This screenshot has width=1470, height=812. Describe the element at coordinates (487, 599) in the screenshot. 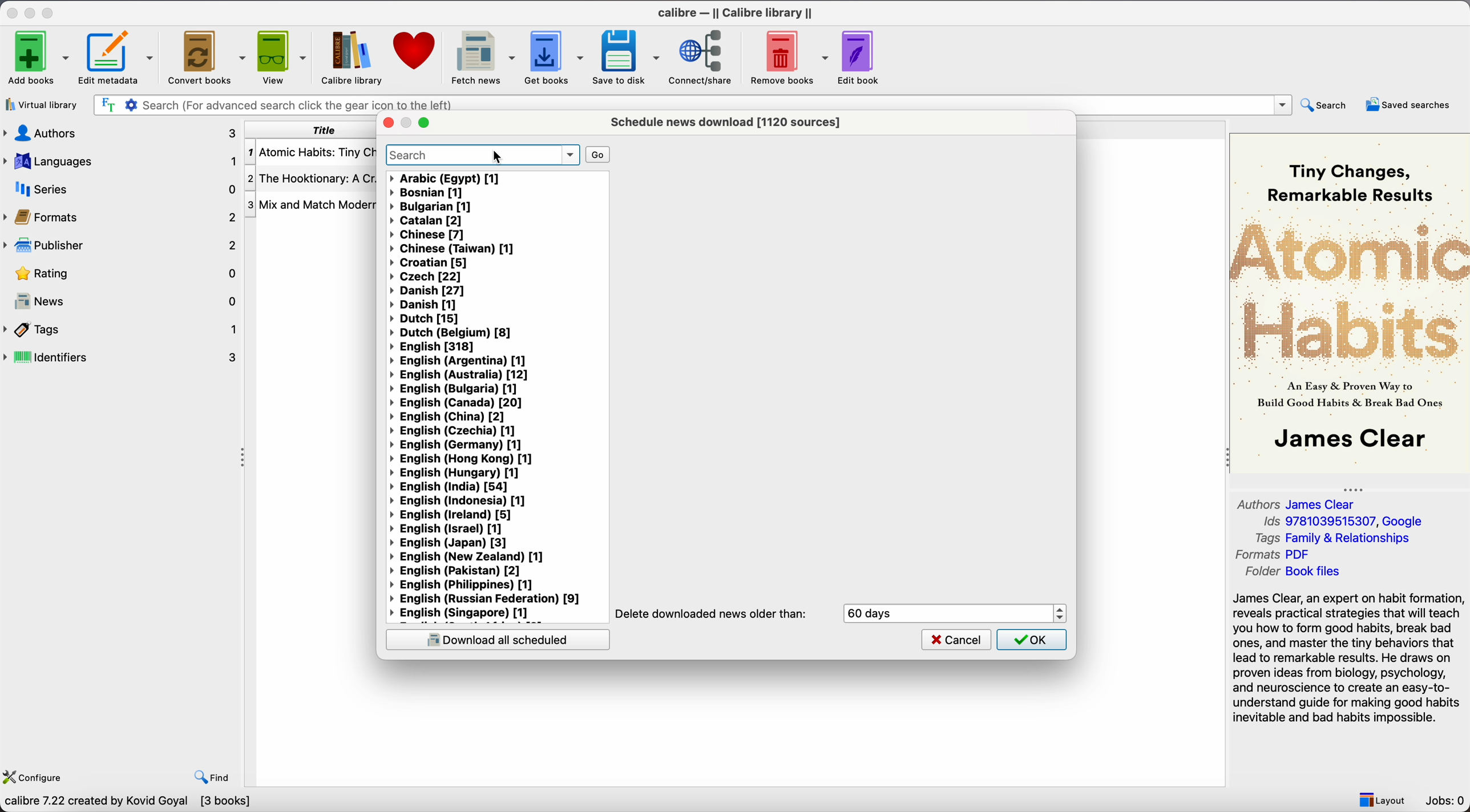

I see `English (Russian Federation) [9]` at that location.